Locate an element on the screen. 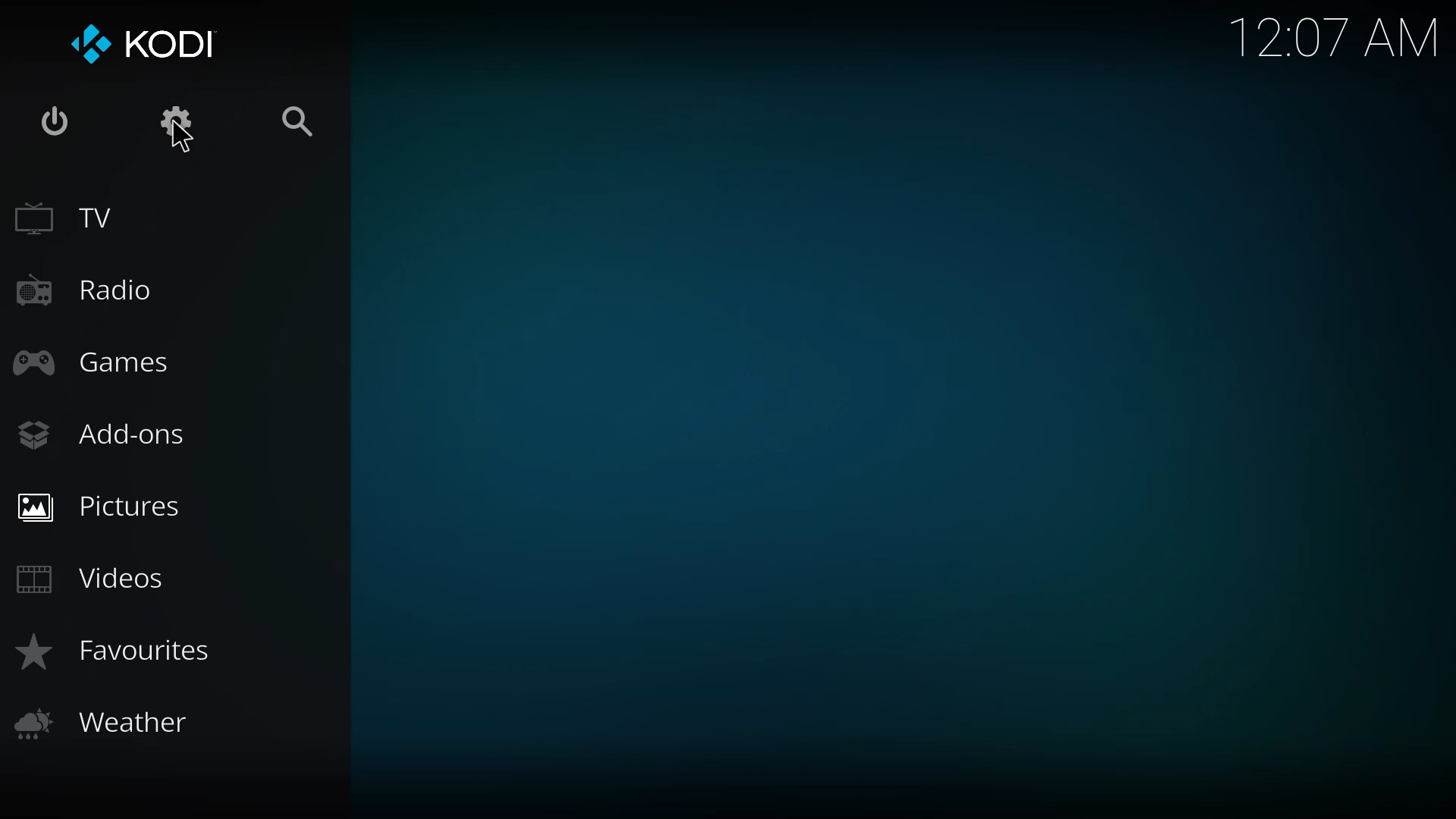 Image resolution: width=1456 pixels, height=819 pixels. pictures is located at coordinates (105, 504).